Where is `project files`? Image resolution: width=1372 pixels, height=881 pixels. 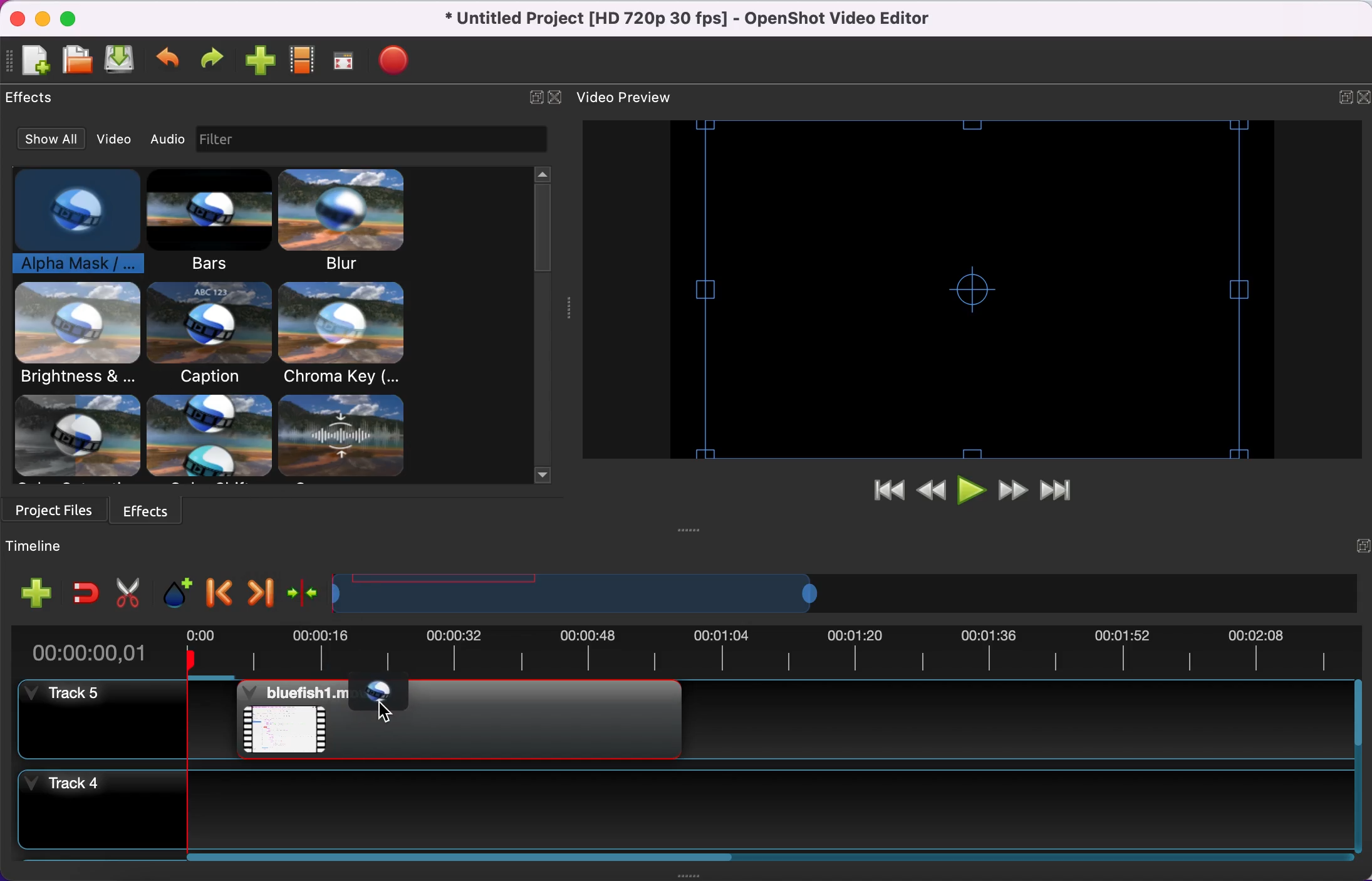
project files is located at coordinates (56, 513).